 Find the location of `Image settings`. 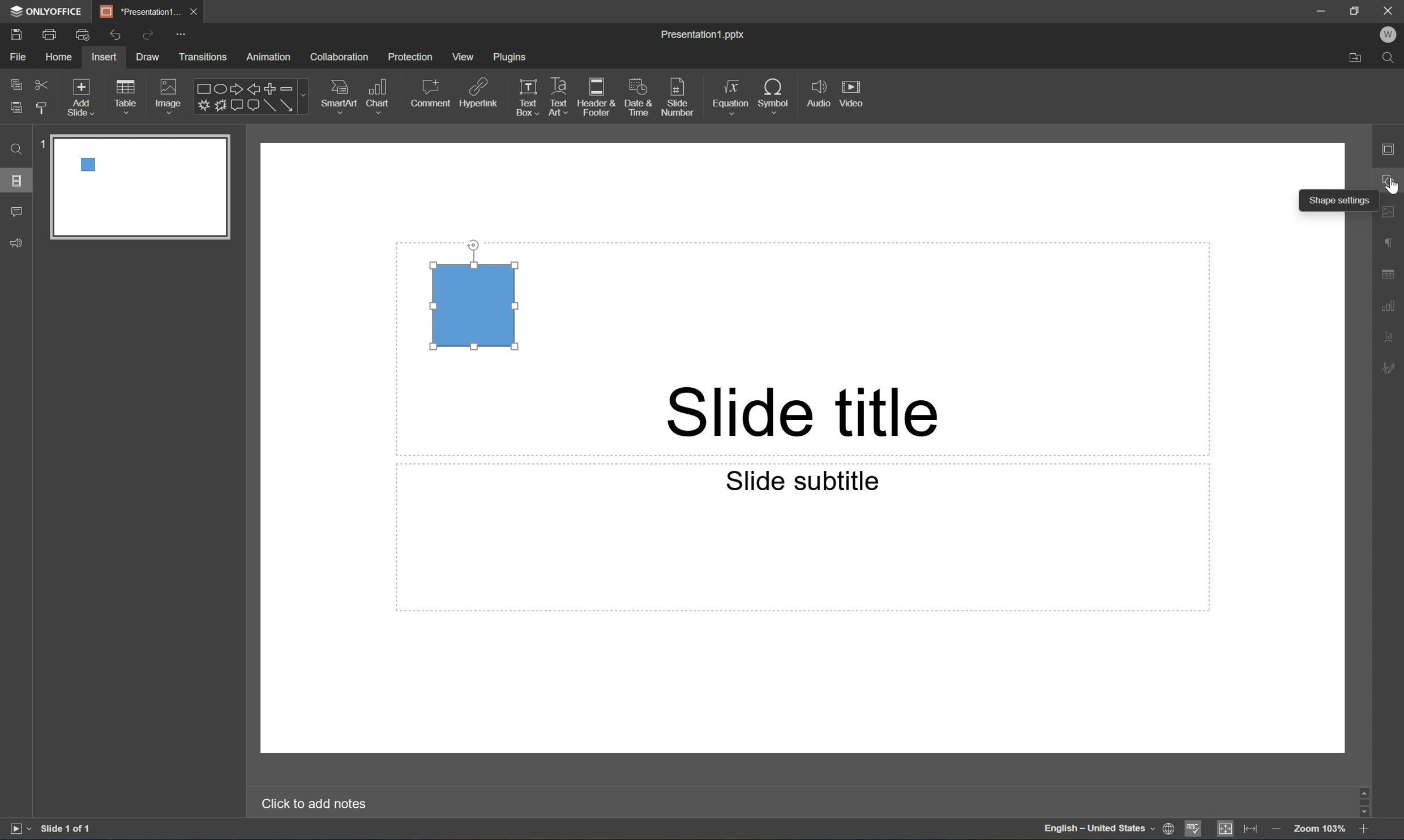

Image settings is located at coordinates (1392, 209).